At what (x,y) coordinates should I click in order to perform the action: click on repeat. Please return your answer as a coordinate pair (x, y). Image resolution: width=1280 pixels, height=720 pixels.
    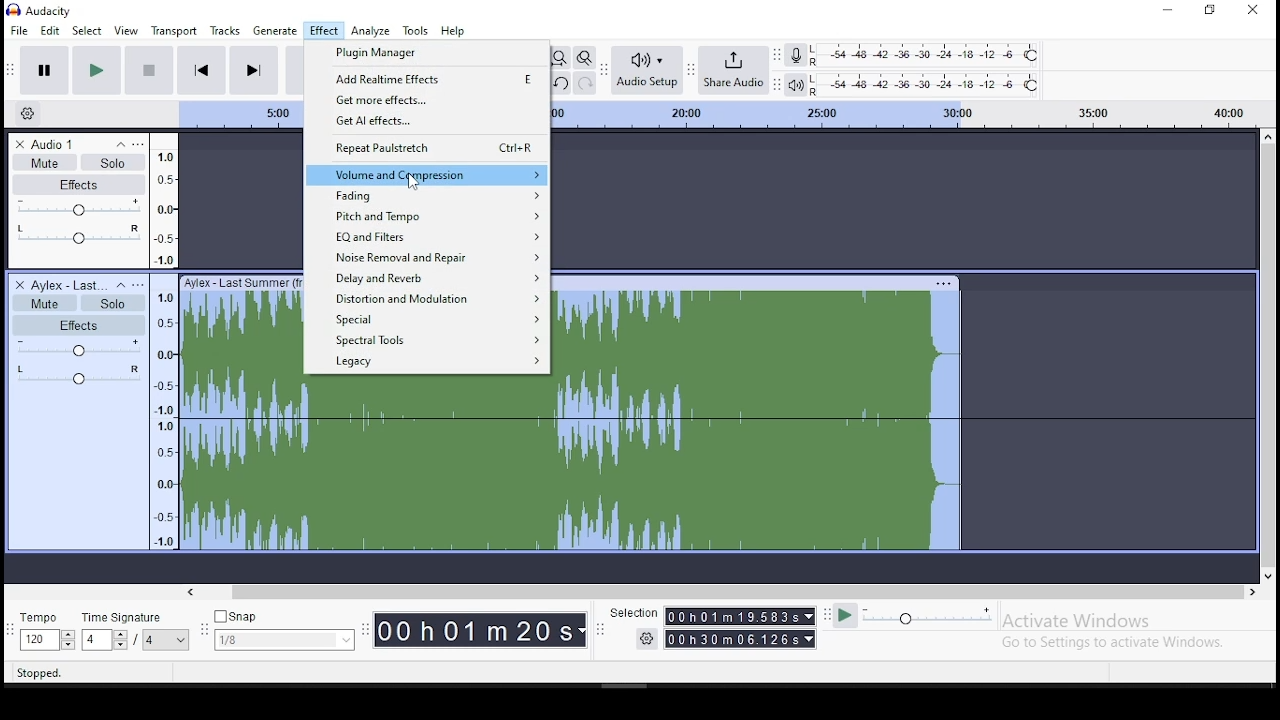
    Looking at the image, I should click on (426, 150).